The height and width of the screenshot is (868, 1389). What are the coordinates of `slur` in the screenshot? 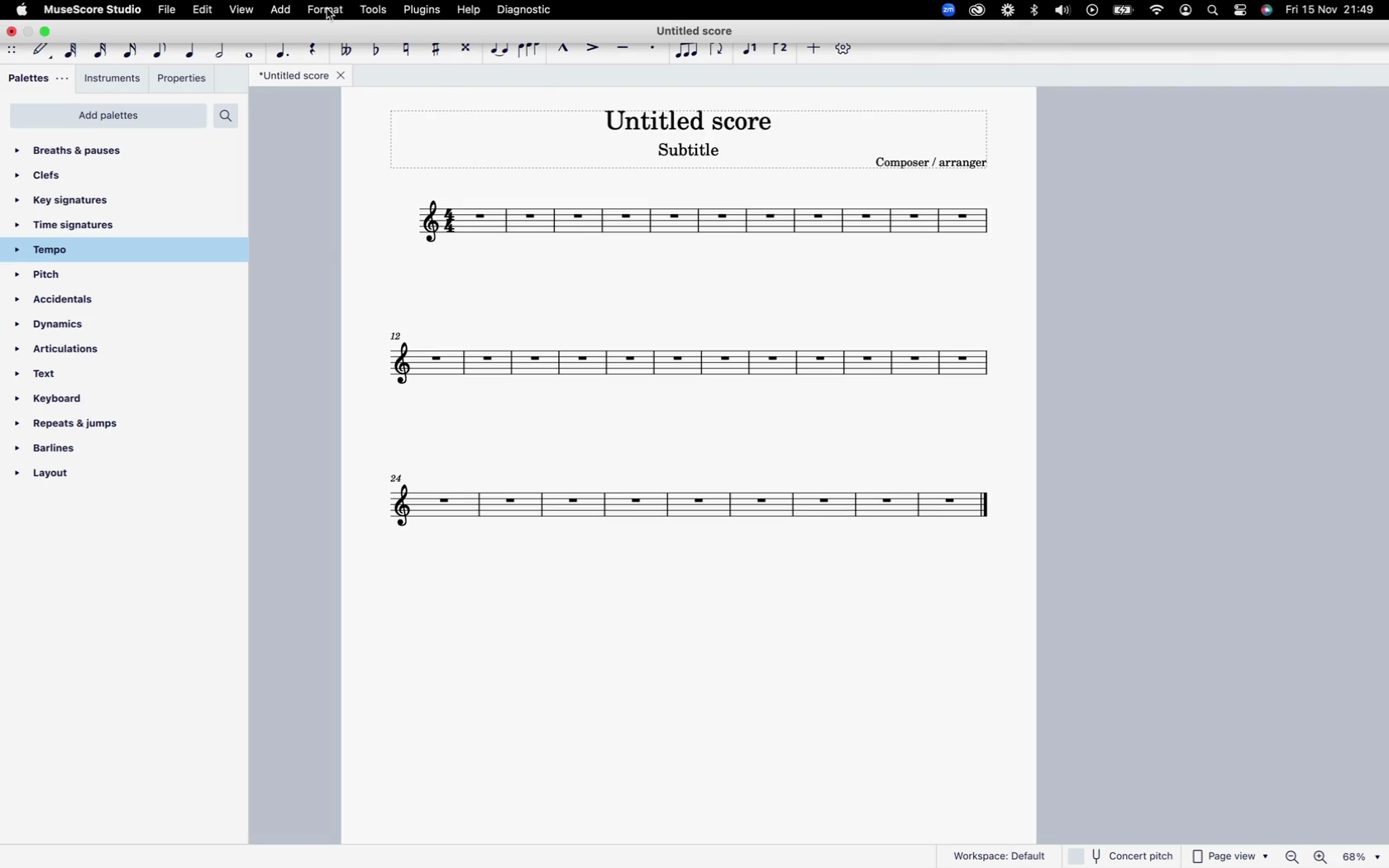 It's located at (530, 48).